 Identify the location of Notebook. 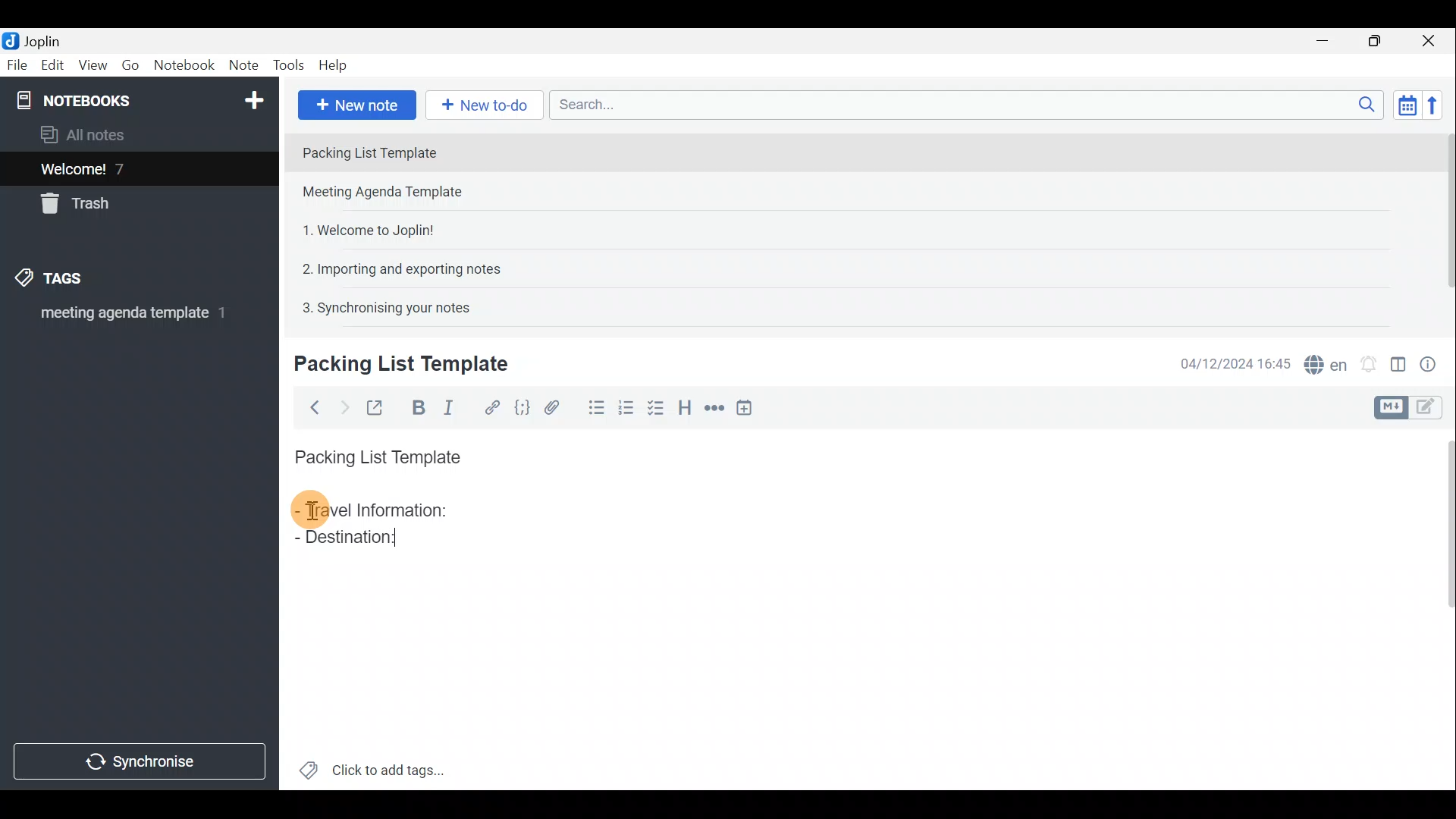
(137, 99).